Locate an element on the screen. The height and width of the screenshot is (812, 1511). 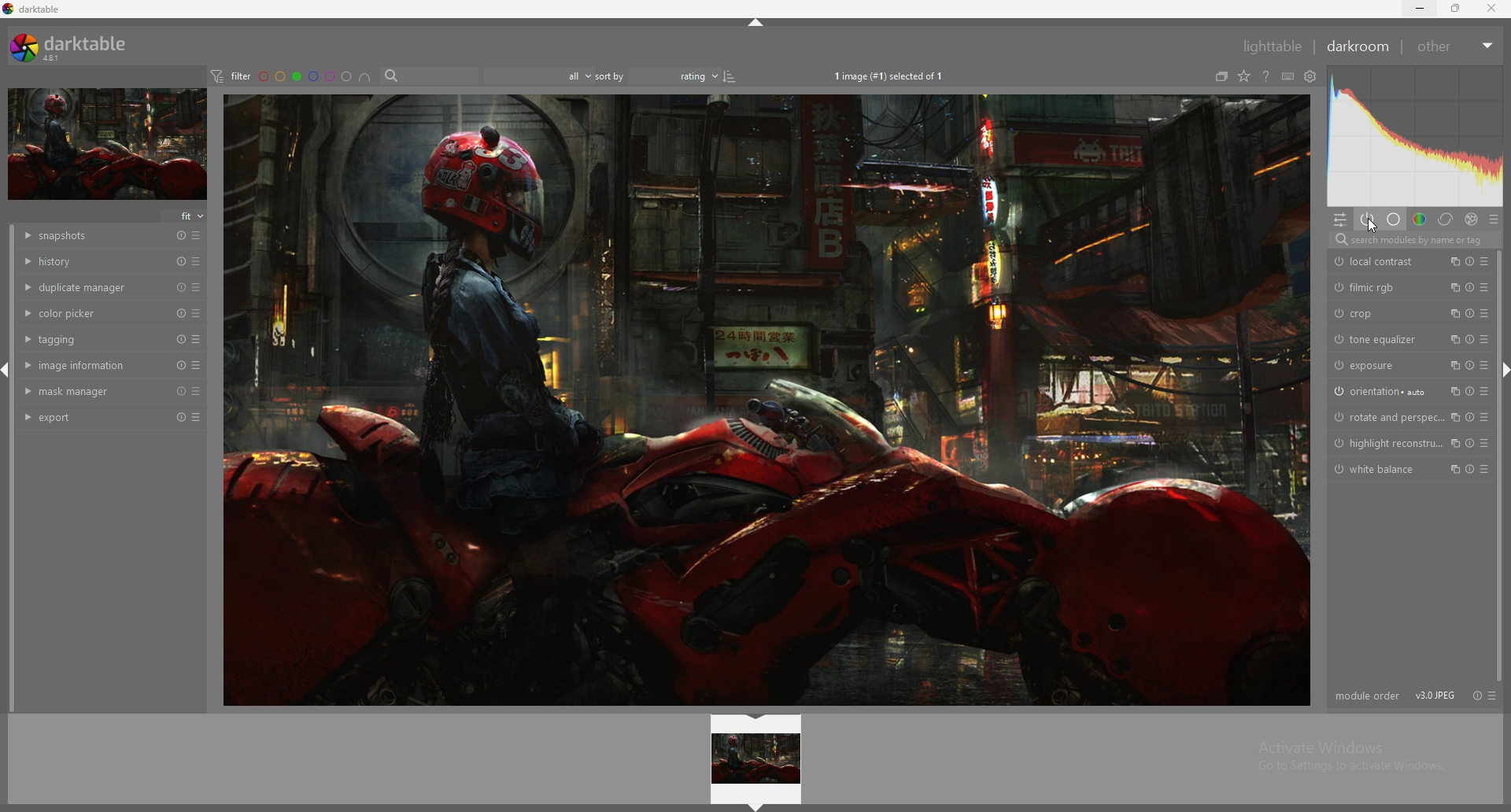
presets is located at coordinates (196, 418).